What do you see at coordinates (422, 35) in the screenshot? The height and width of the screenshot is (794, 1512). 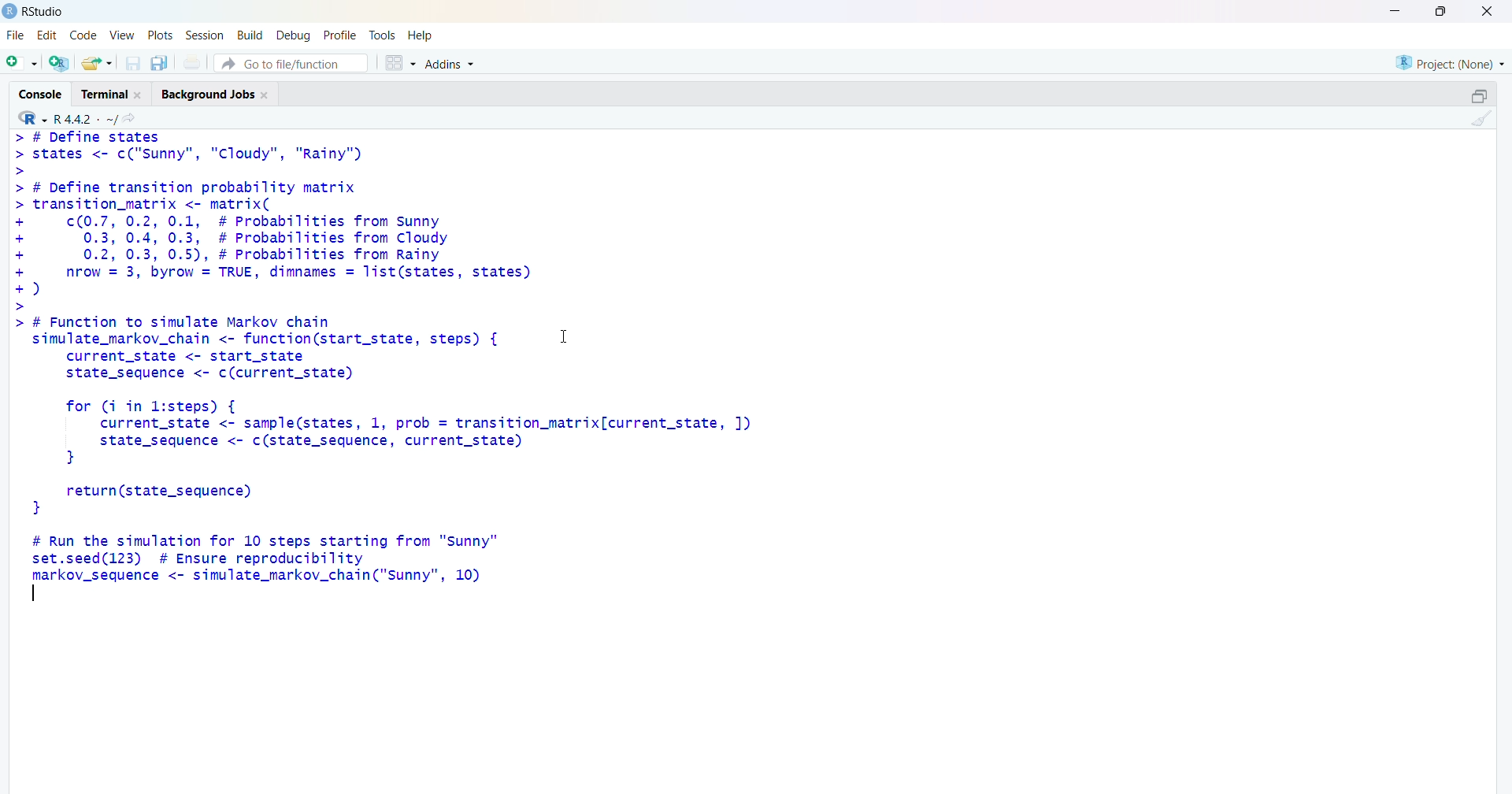 I see `help` at bounding box center [422, 35].